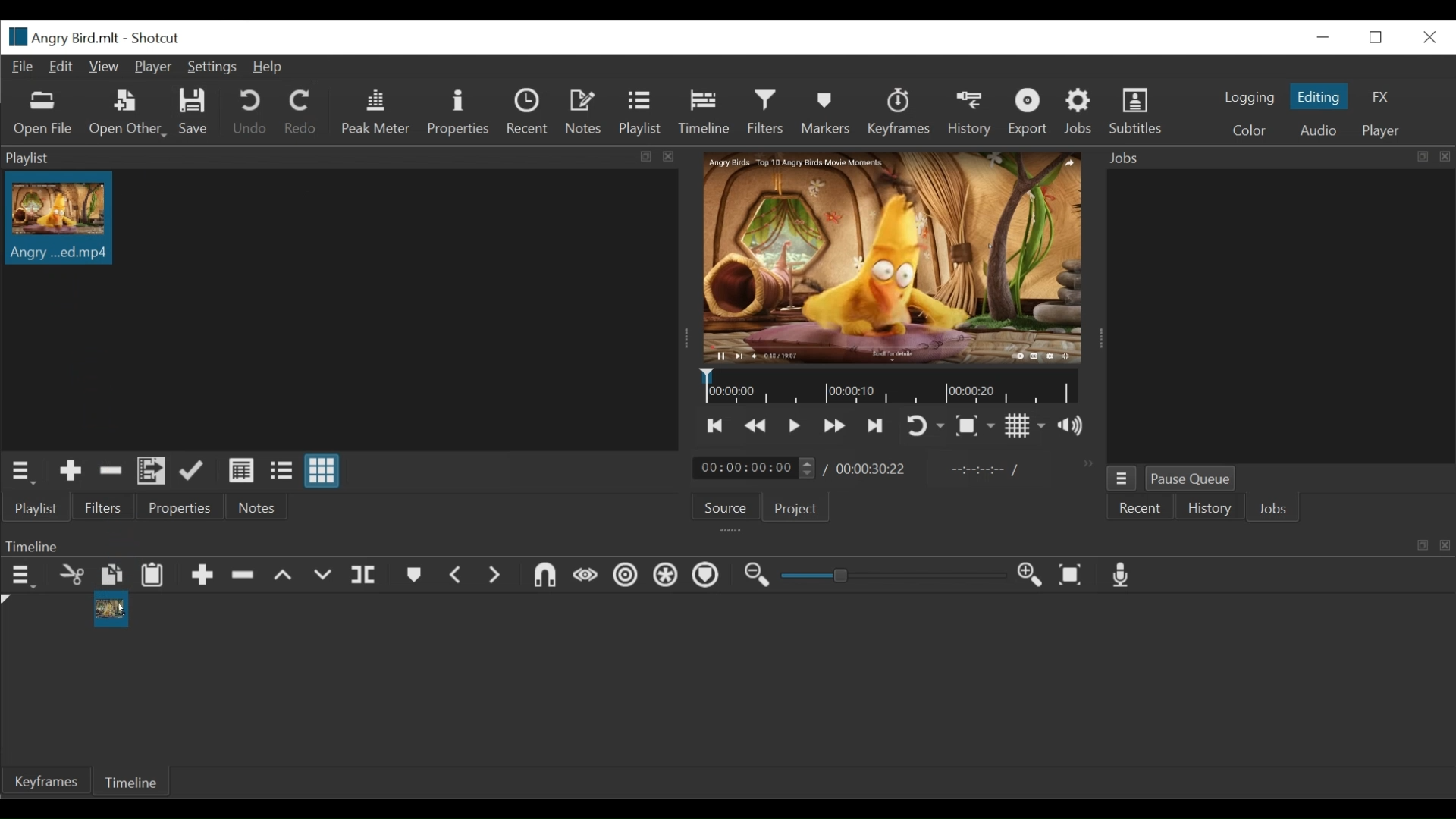 This screenshot has width=1456, height=819. Describe the element at coordinates (269, 66) in the screenshot. I see `Help` at that location.